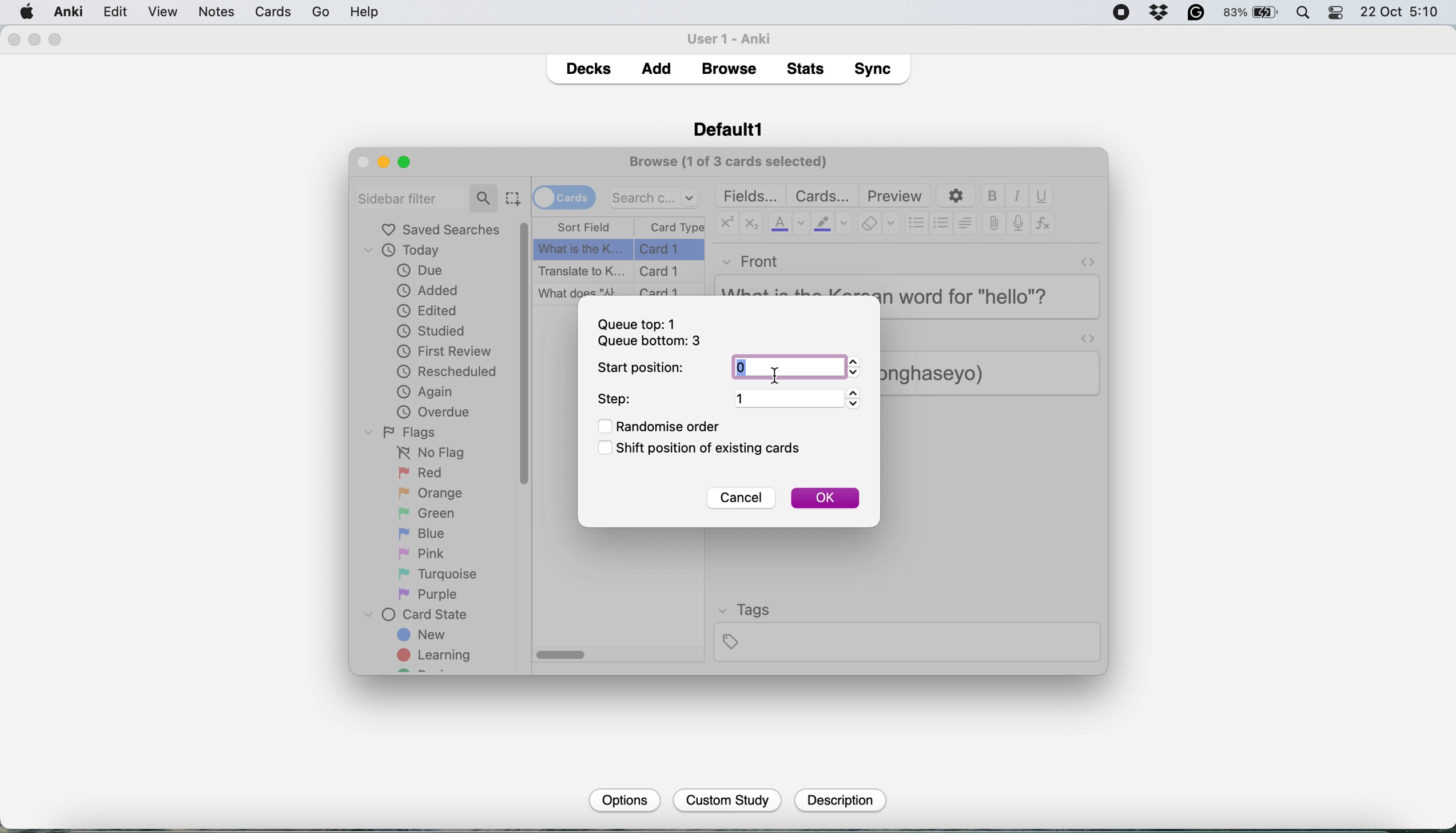  Describe the element at coordinates (162, 13) in the screenshot. I see `edit` at that location.